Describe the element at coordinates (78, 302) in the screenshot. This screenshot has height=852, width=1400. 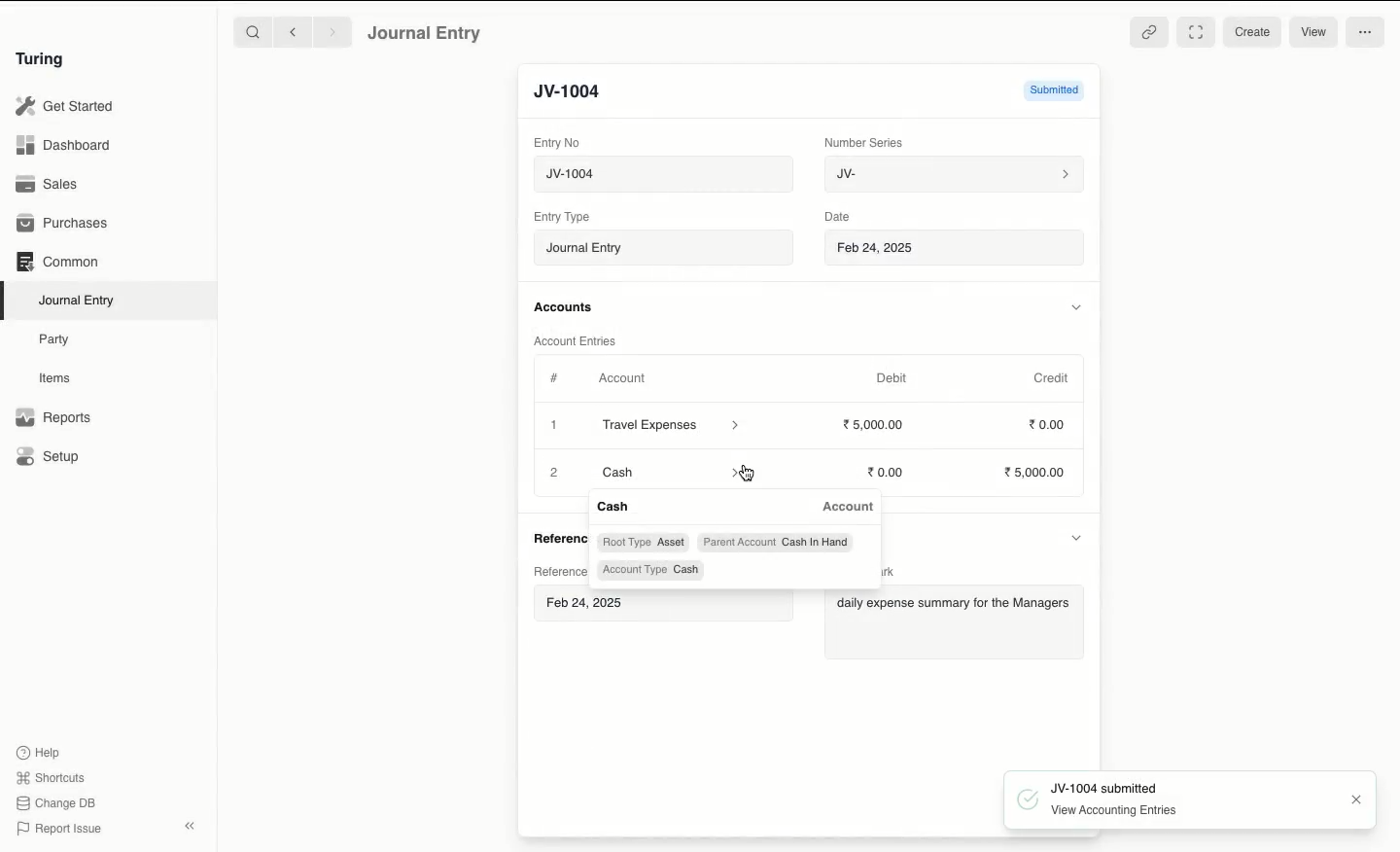
I see `Journal Entry` at that location.